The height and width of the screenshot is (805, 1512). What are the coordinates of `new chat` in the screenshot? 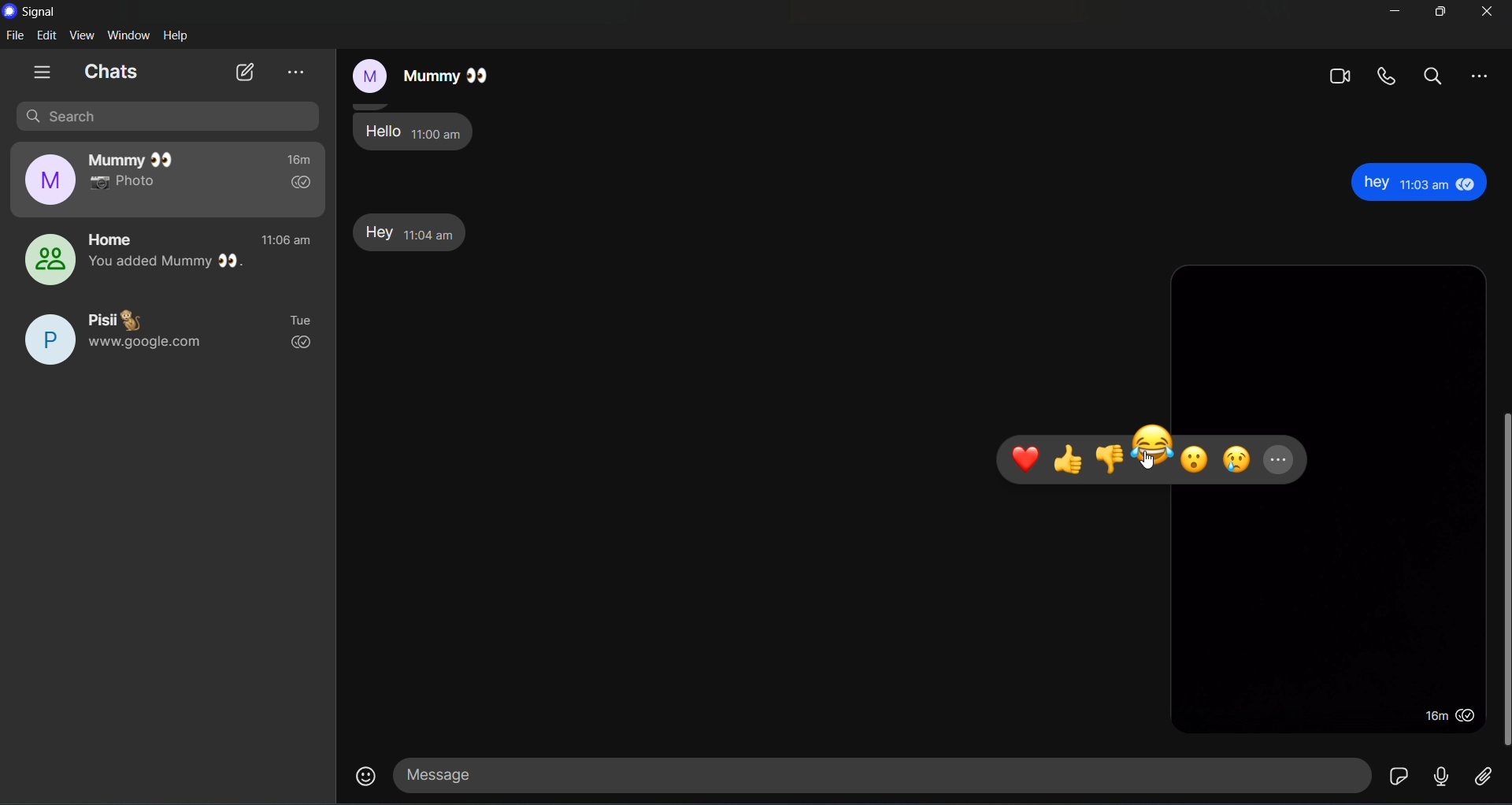 It's located at (245, 72).